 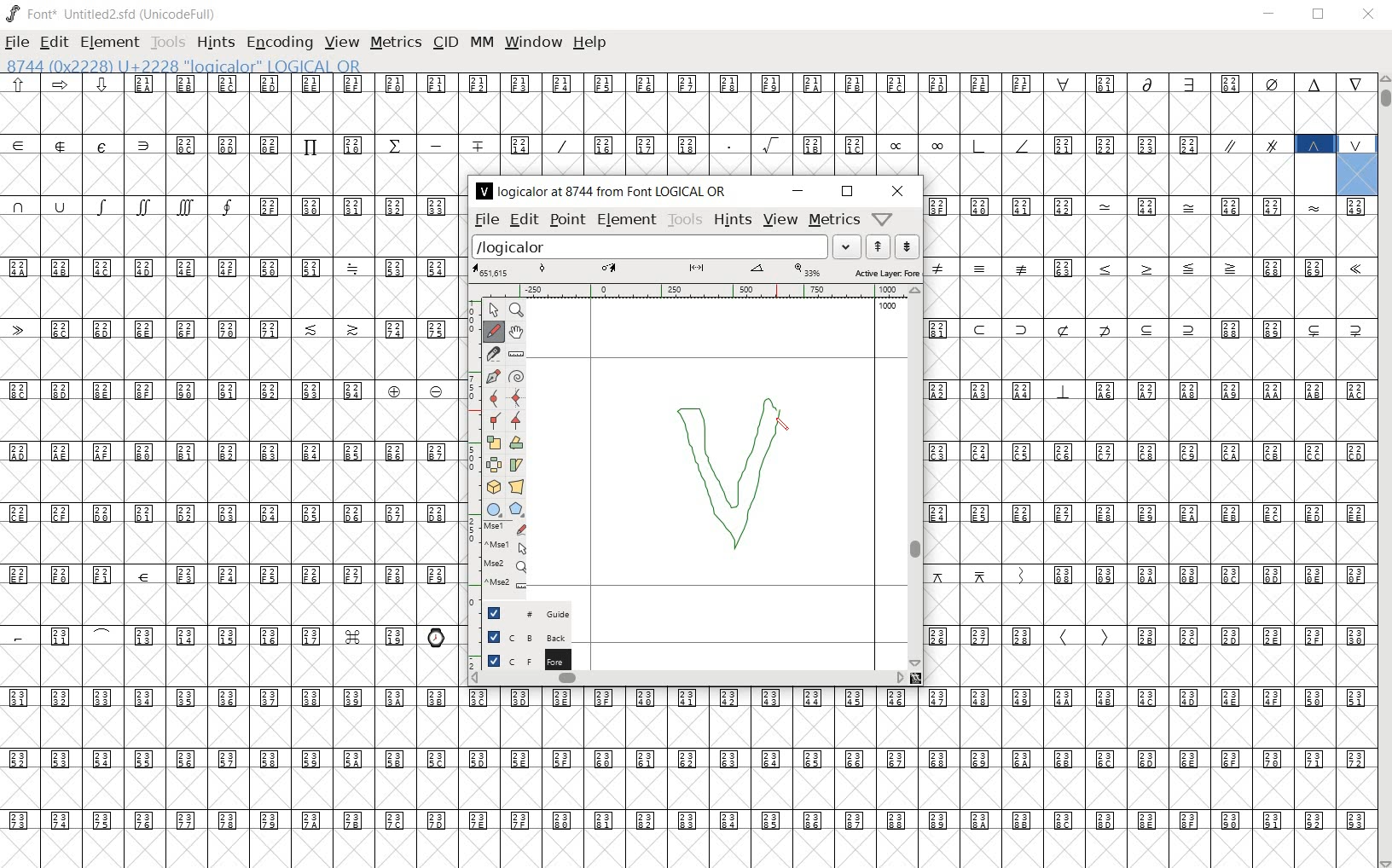 I want to click on change whether spiro is active or not, so click(x=513, y=376).